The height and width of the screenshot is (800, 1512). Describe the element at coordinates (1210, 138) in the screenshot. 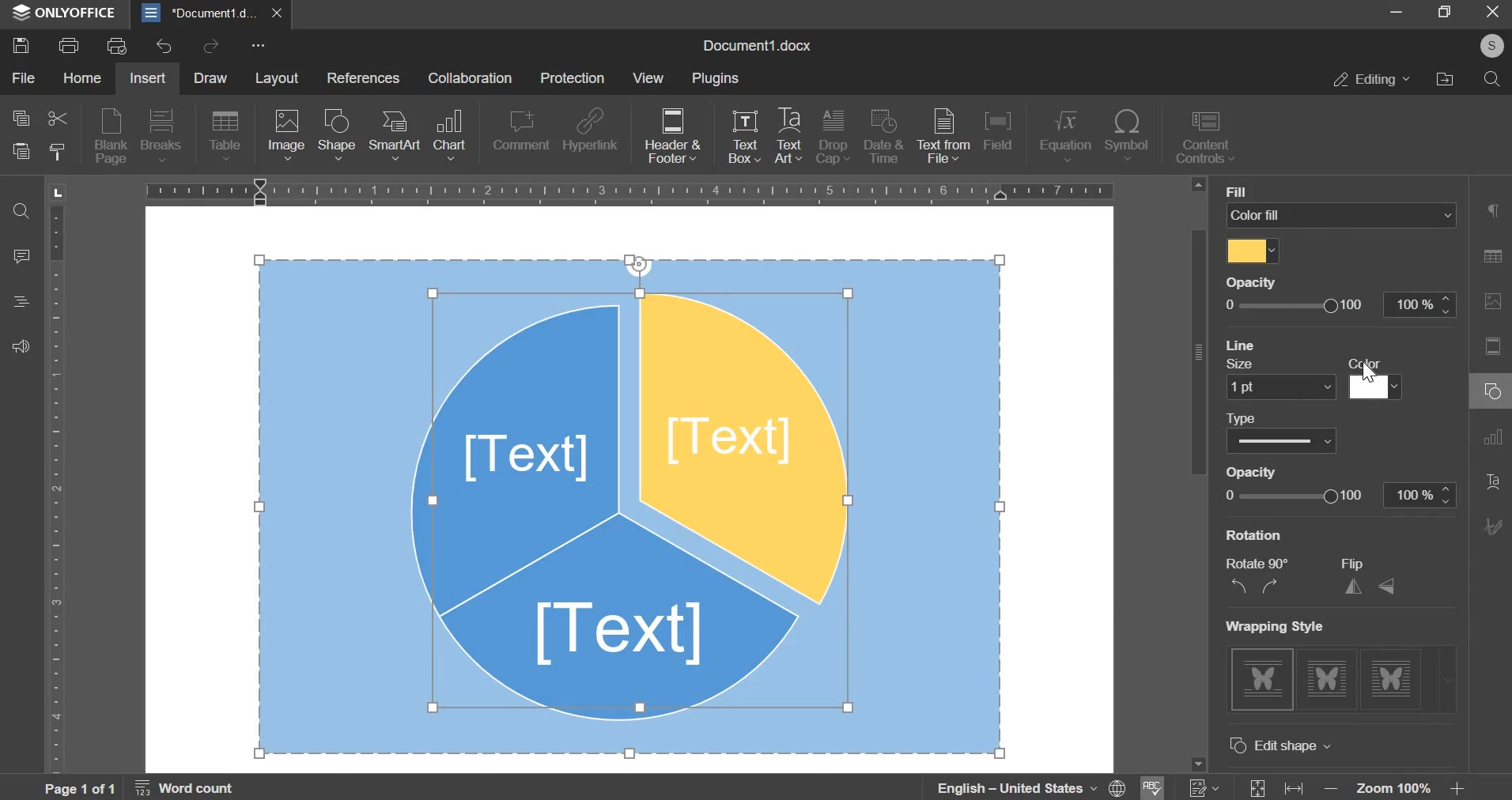

I see `content controls` at that location.